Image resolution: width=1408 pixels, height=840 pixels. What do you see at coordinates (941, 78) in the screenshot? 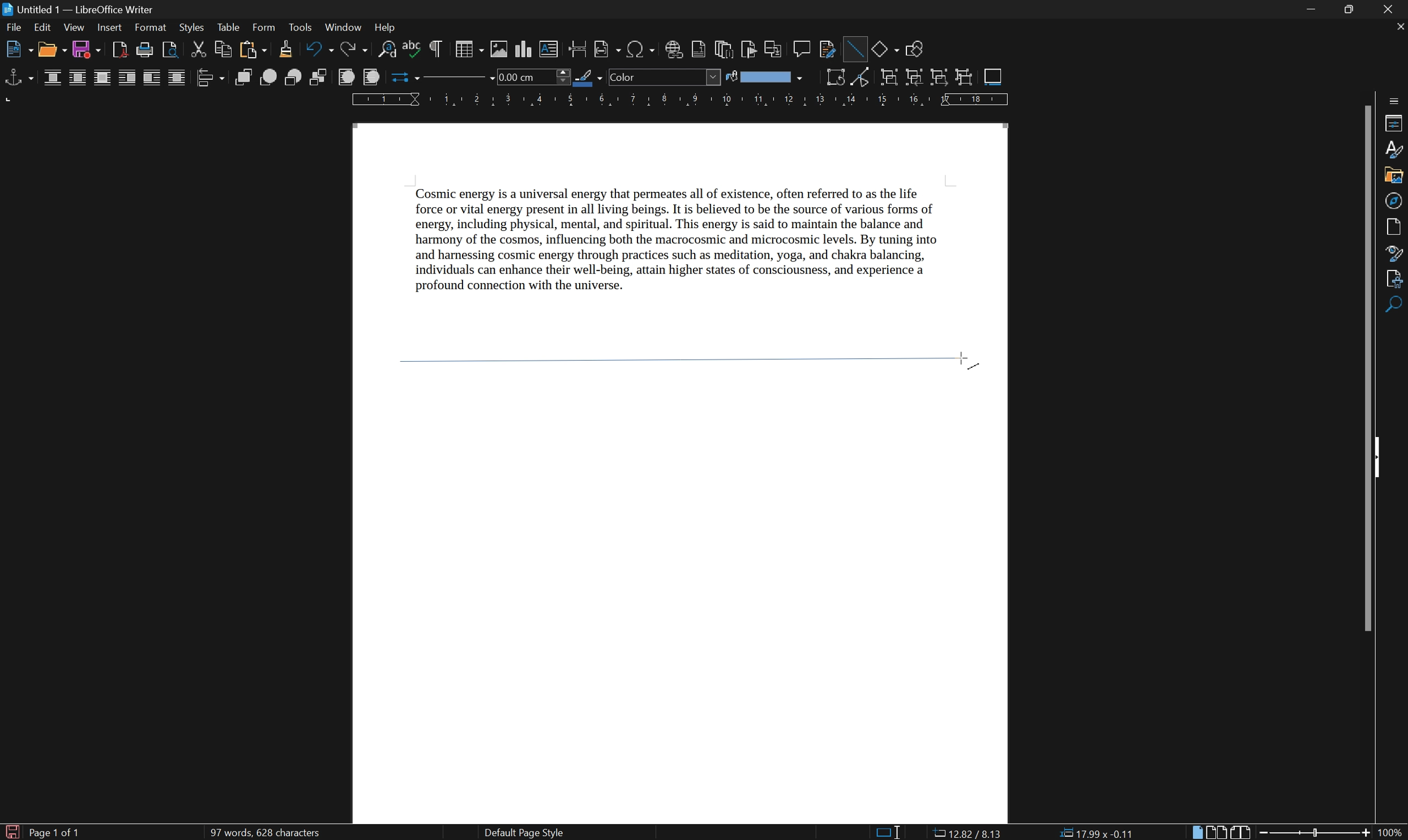
I see `exit group` at bounding box center [941, 78].